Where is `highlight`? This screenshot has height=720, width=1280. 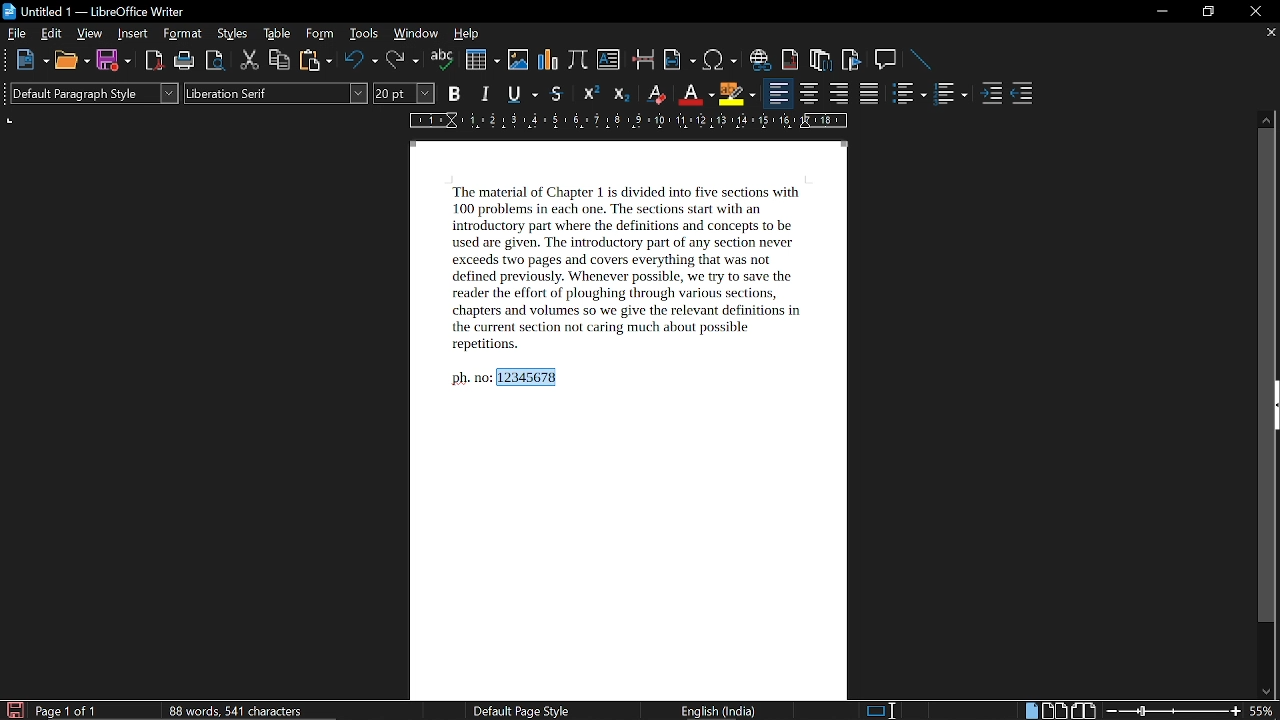 highlight is located at coordinates (737, 94).